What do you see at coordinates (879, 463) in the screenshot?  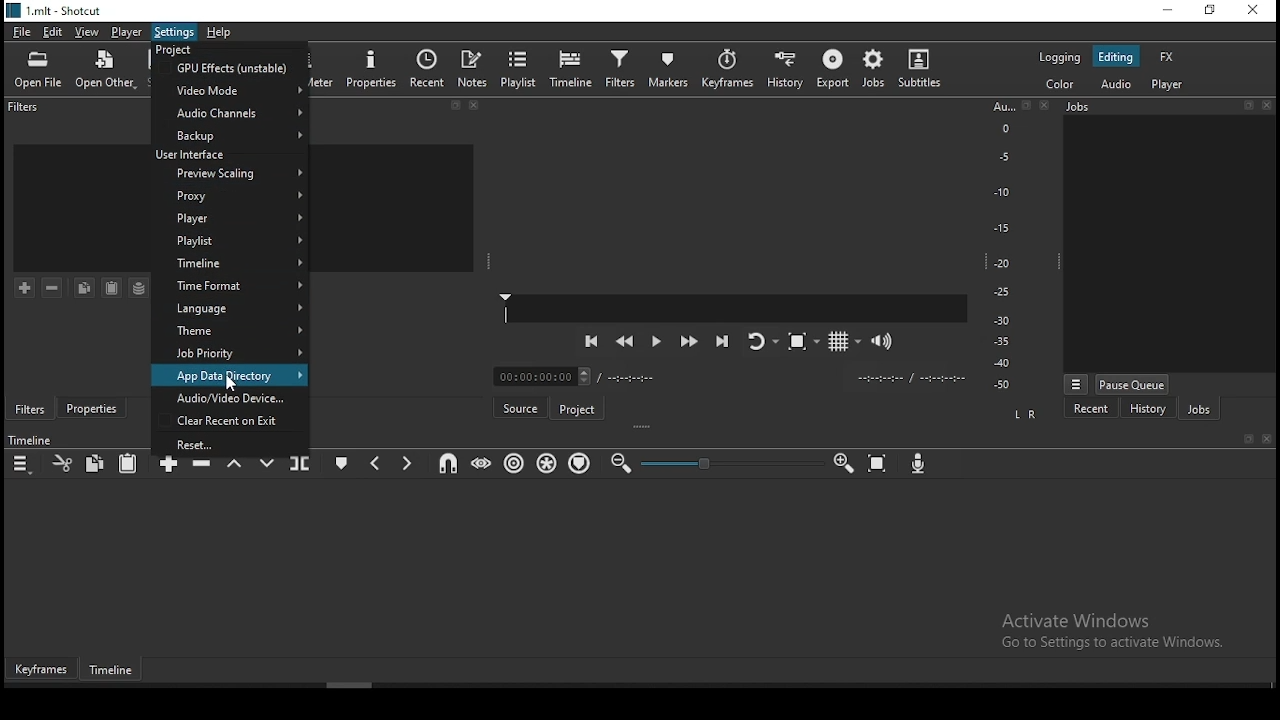 I see `zoom timeline to fit` at bounding box center [879, 463].